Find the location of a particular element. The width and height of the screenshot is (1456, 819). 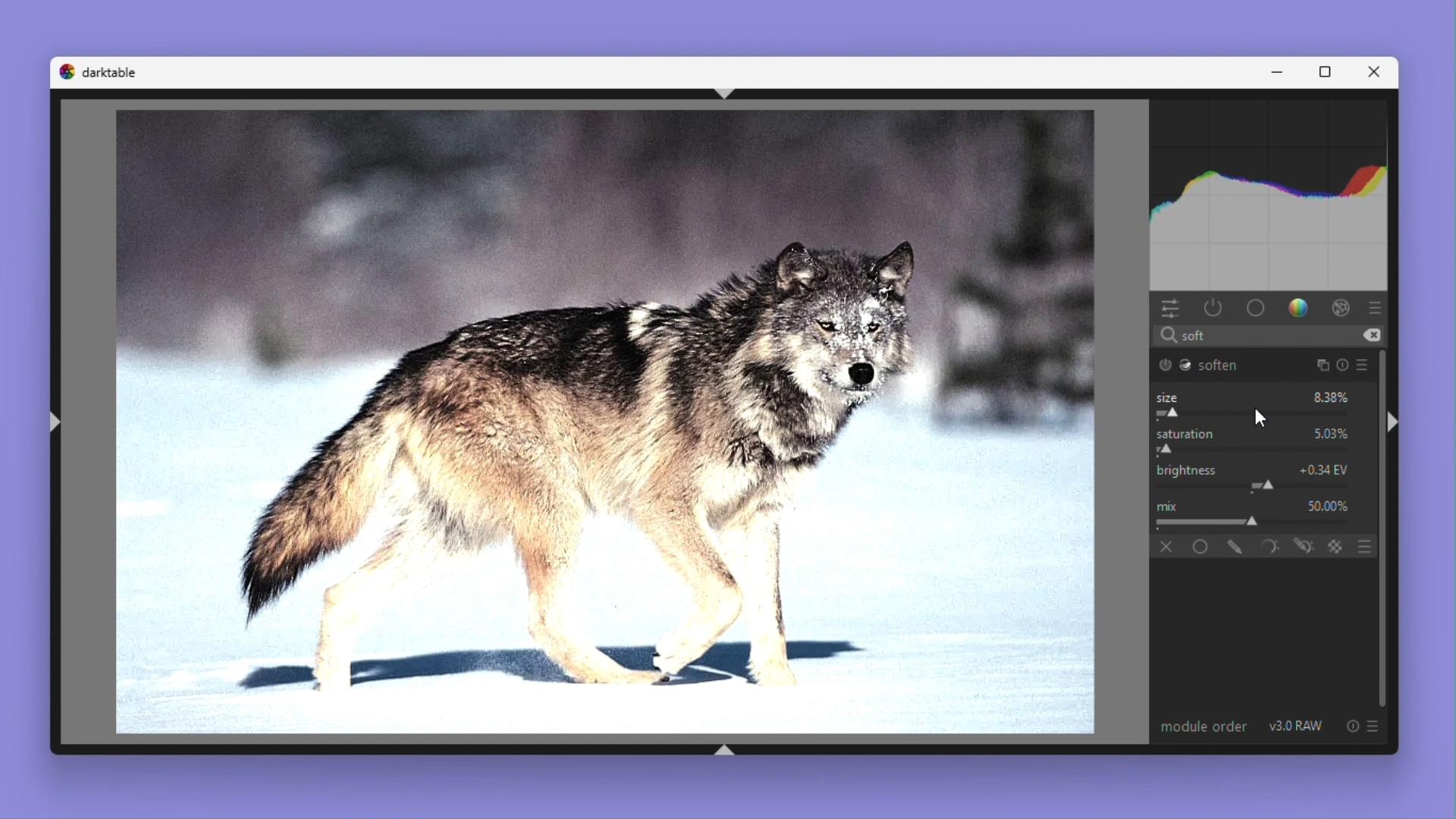

Dark table logo is located at coordinates (110, 71).